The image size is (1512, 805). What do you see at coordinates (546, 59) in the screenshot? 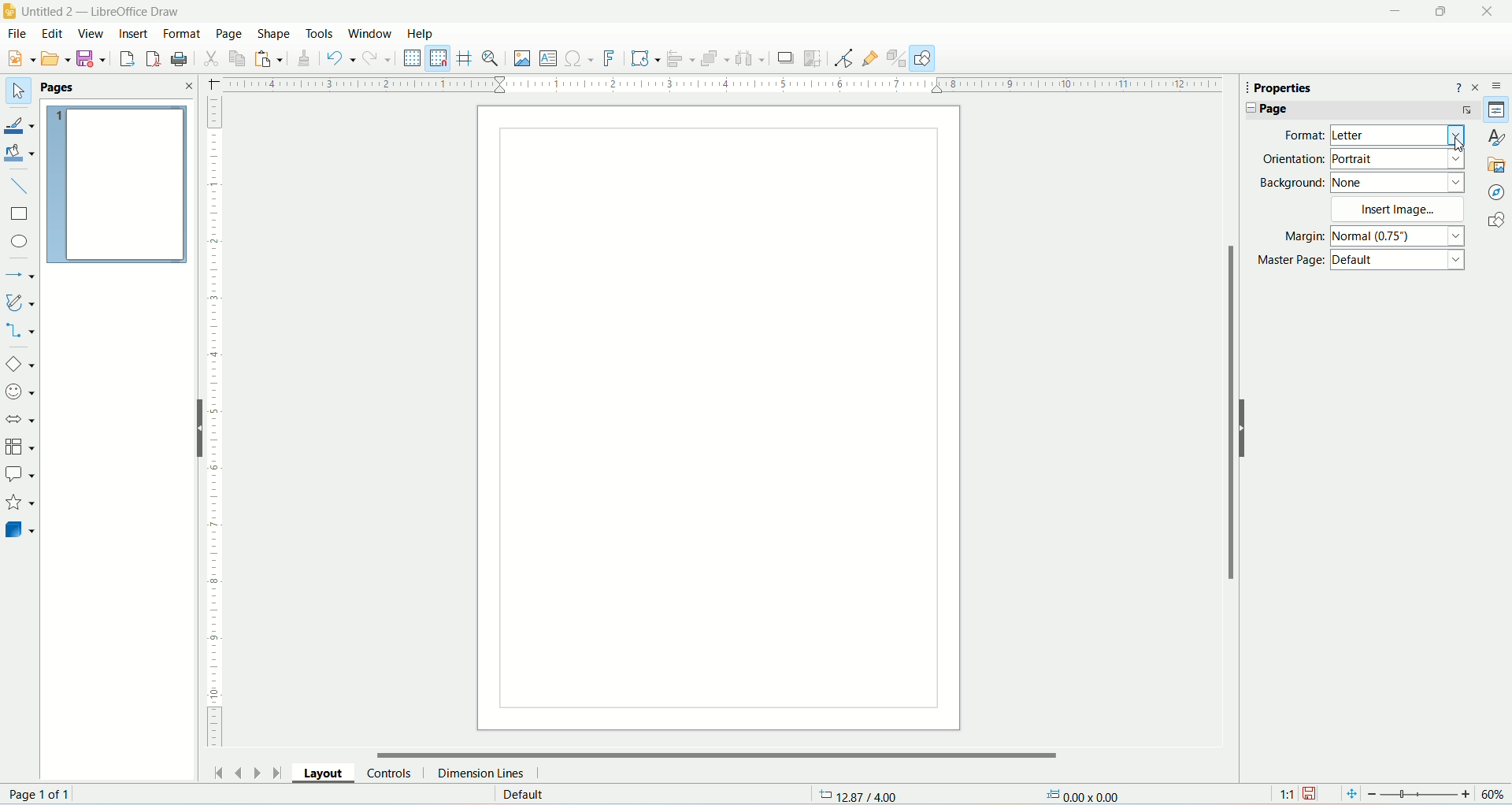
I see `insert textbox` at bounding box center [546, 59].